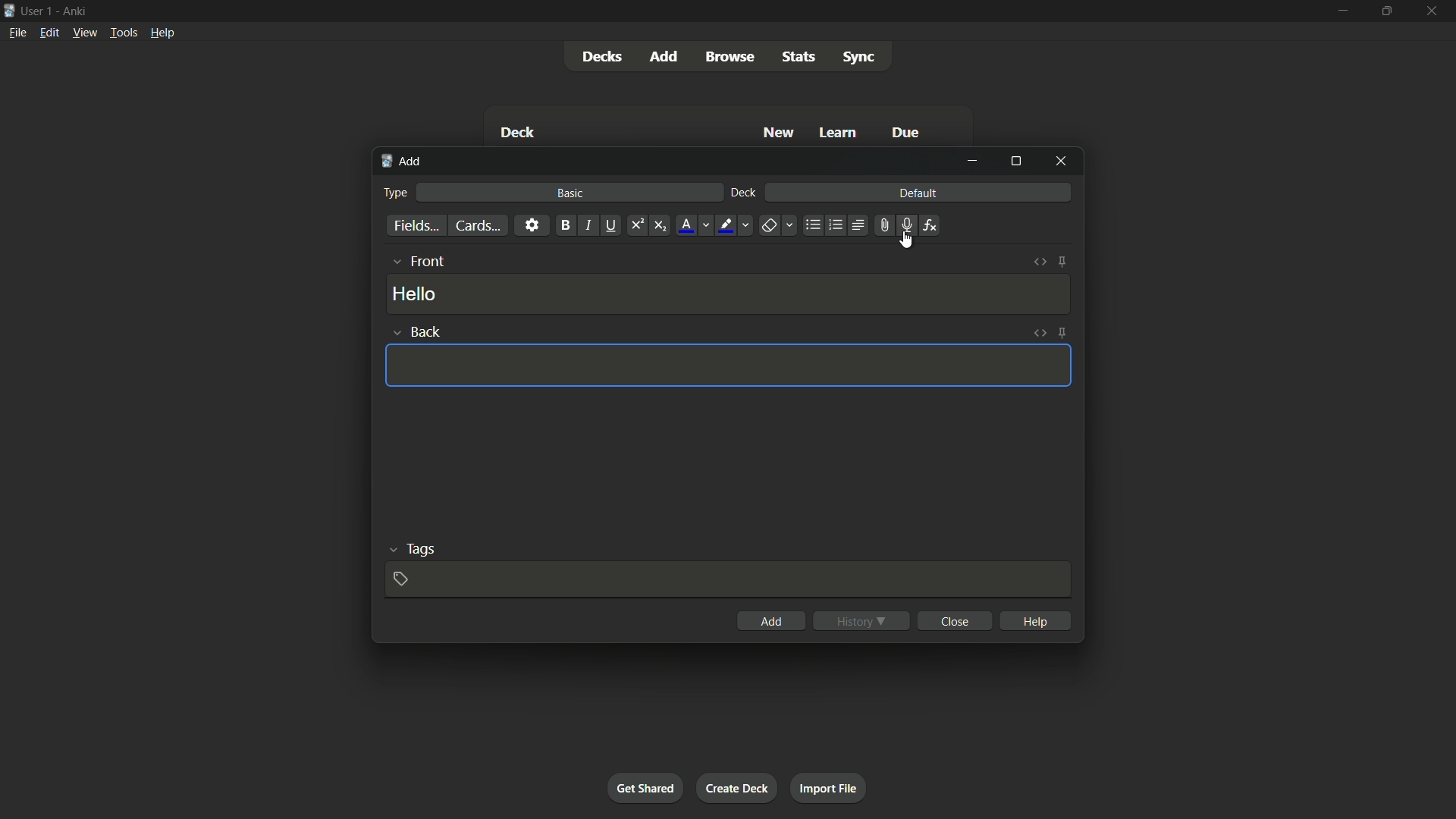 Image resolution: width=1456 pixels, height=819 pixels. What do you see at coordinates (858, 224) in the screenshot?
I see `alignment` at bounding box center [858, 224].